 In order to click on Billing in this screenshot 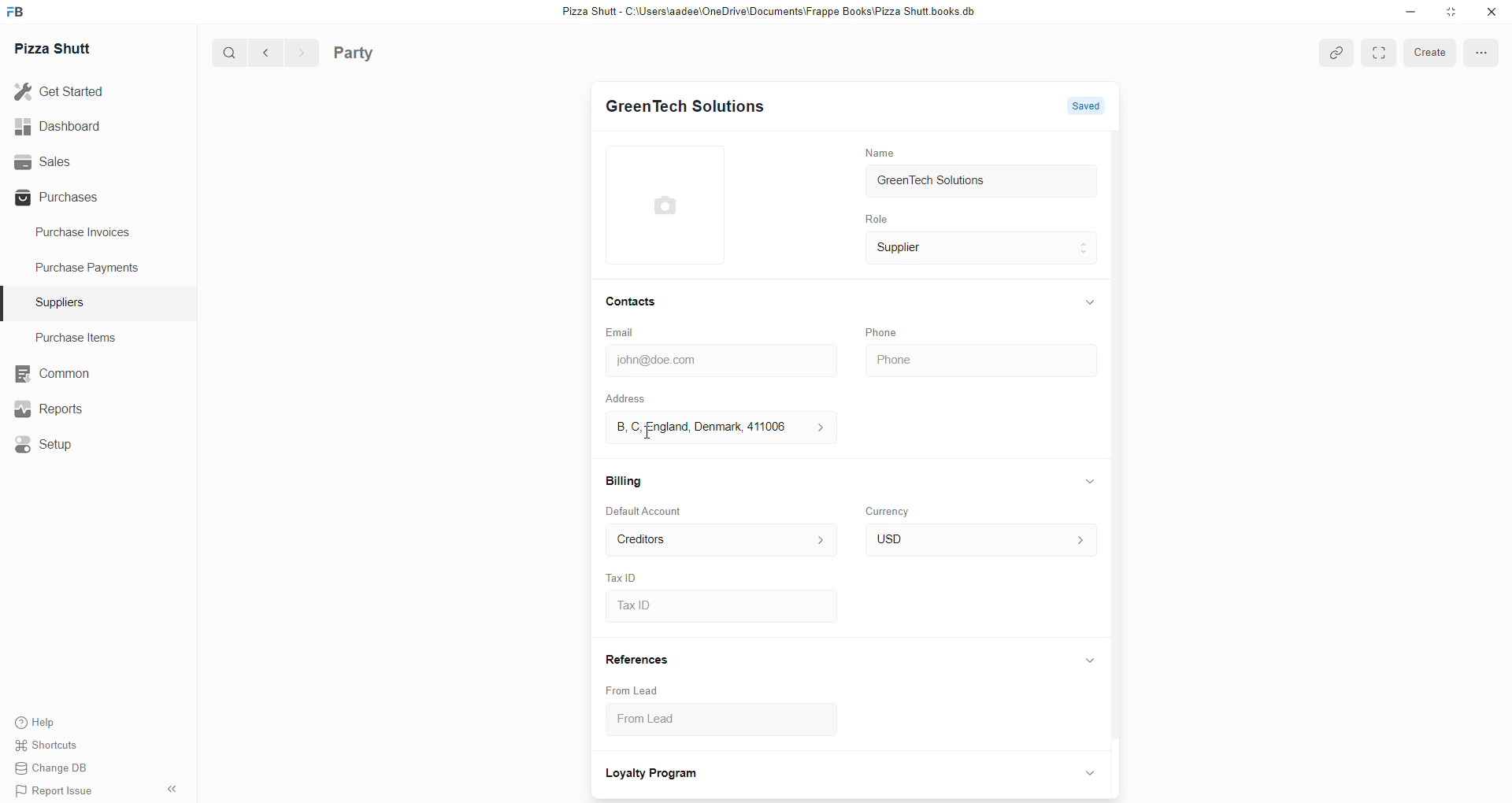, I will do `click(624, 479)`.